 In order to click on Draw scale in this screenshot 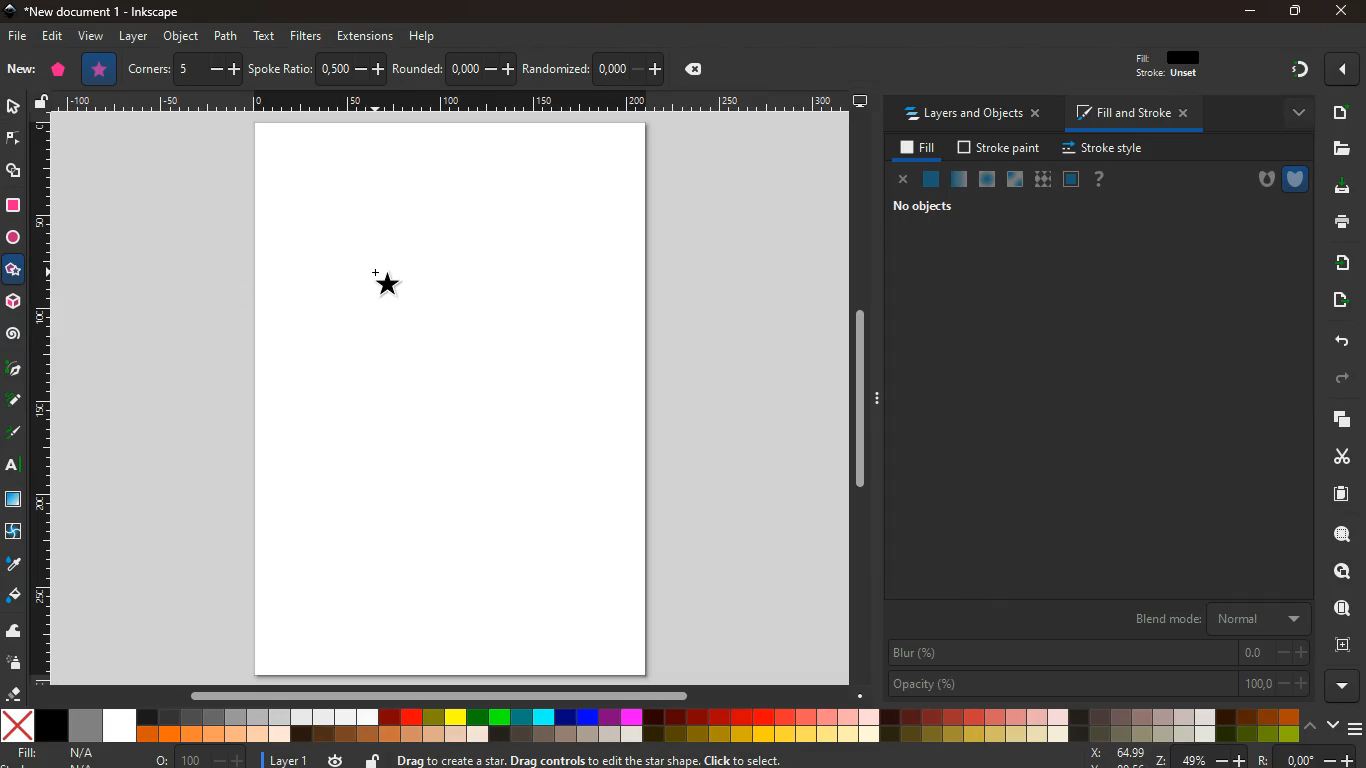, I will do `click(455, 103)`.